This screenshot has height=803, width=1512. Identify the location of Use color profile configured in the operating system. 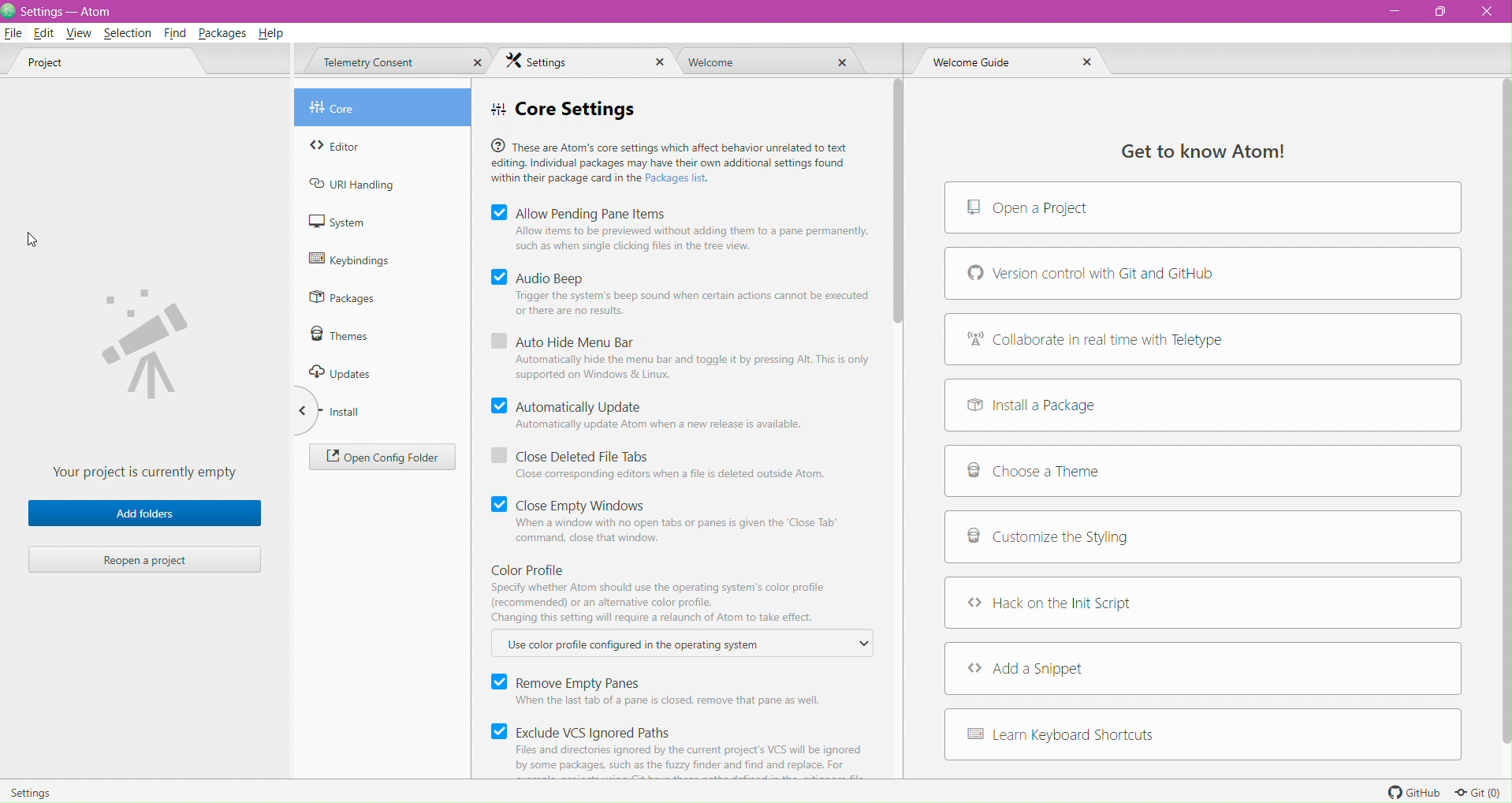
(676, 646).